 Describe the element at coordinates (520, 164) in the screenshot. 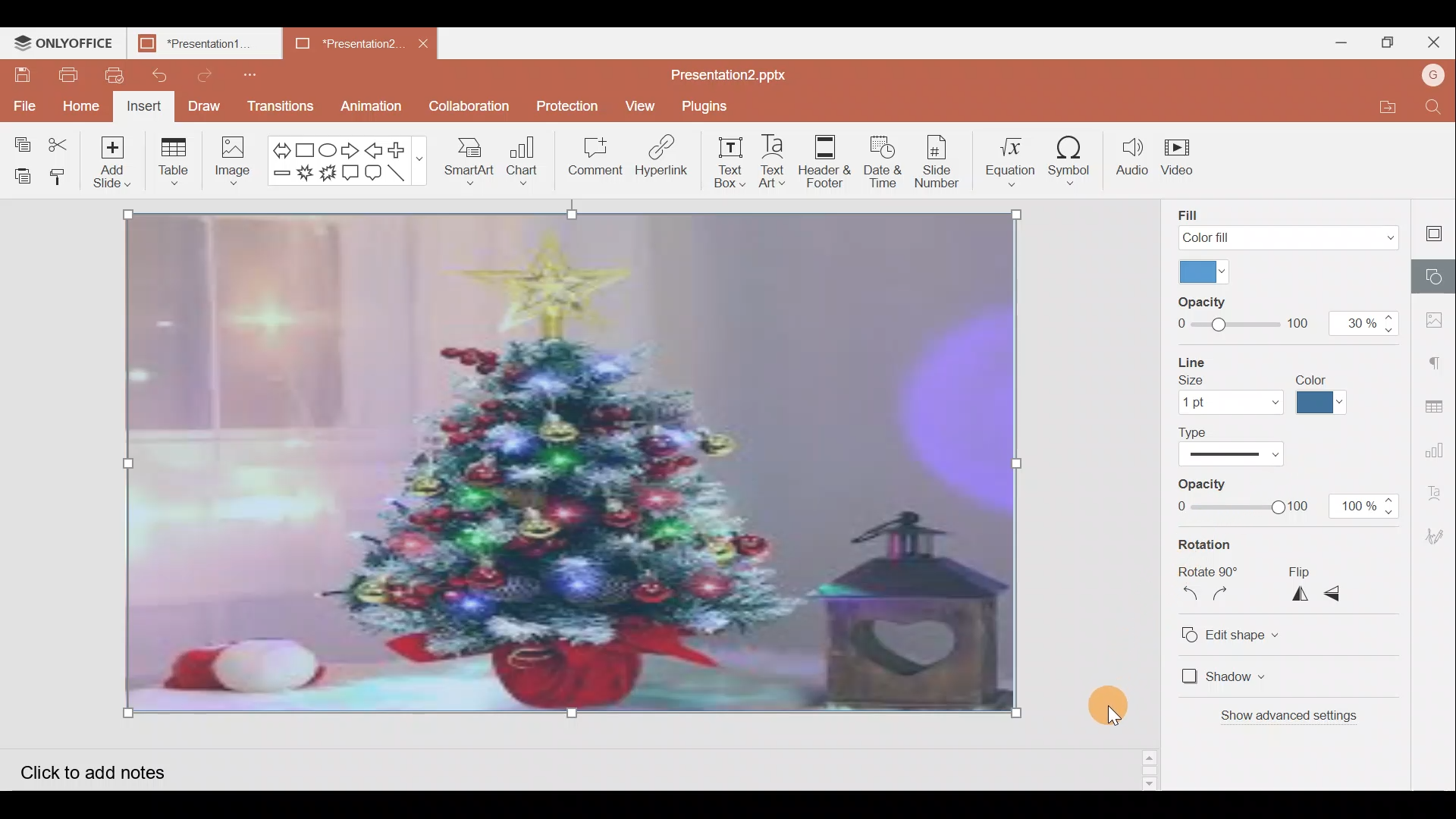

I see `Chart` at that location.